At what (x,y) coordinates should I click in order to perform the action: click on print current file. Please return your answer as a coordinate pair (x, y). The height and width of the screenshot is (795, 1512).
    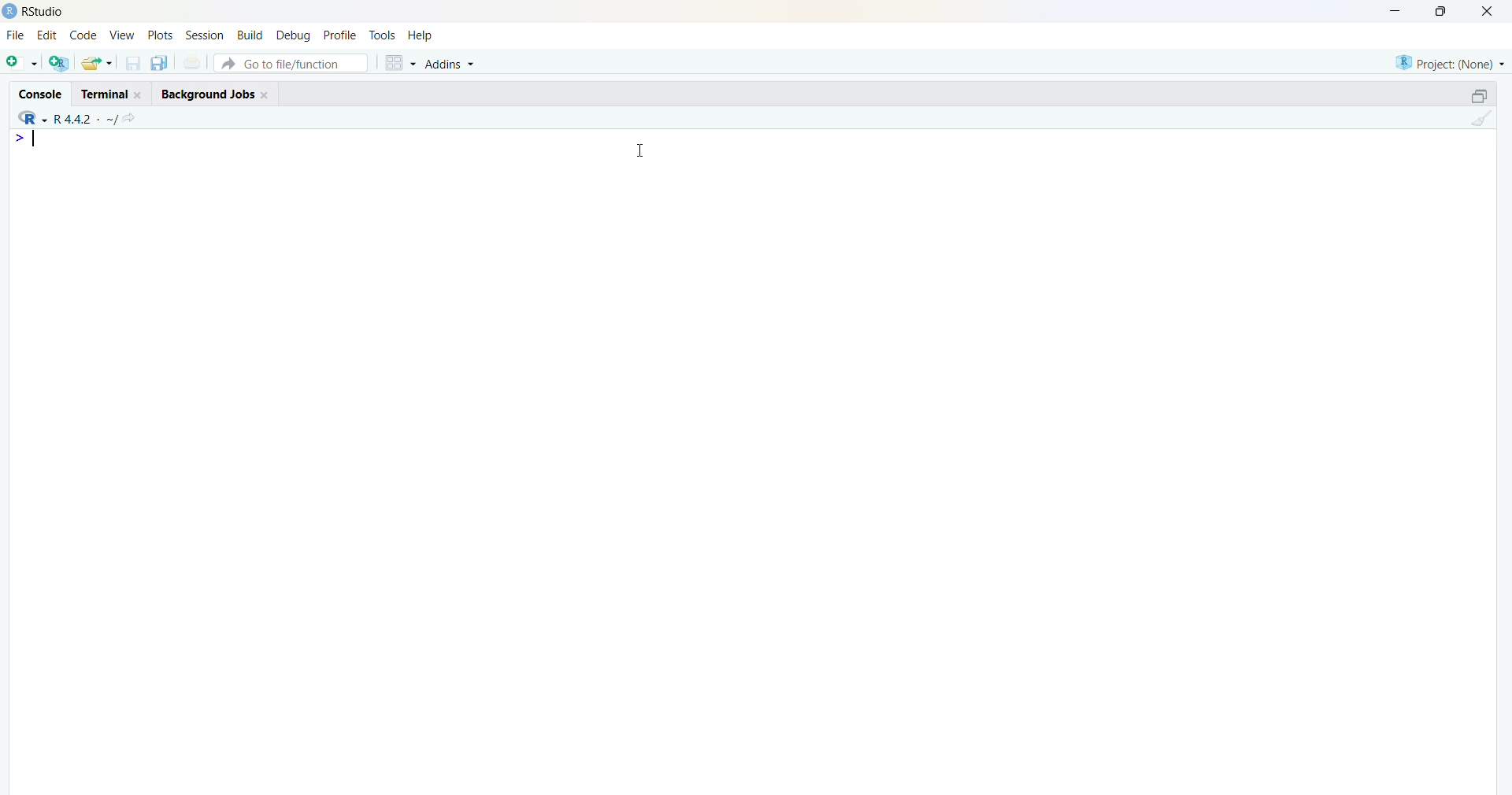
    Looking at the image, I should click on (190, 62).